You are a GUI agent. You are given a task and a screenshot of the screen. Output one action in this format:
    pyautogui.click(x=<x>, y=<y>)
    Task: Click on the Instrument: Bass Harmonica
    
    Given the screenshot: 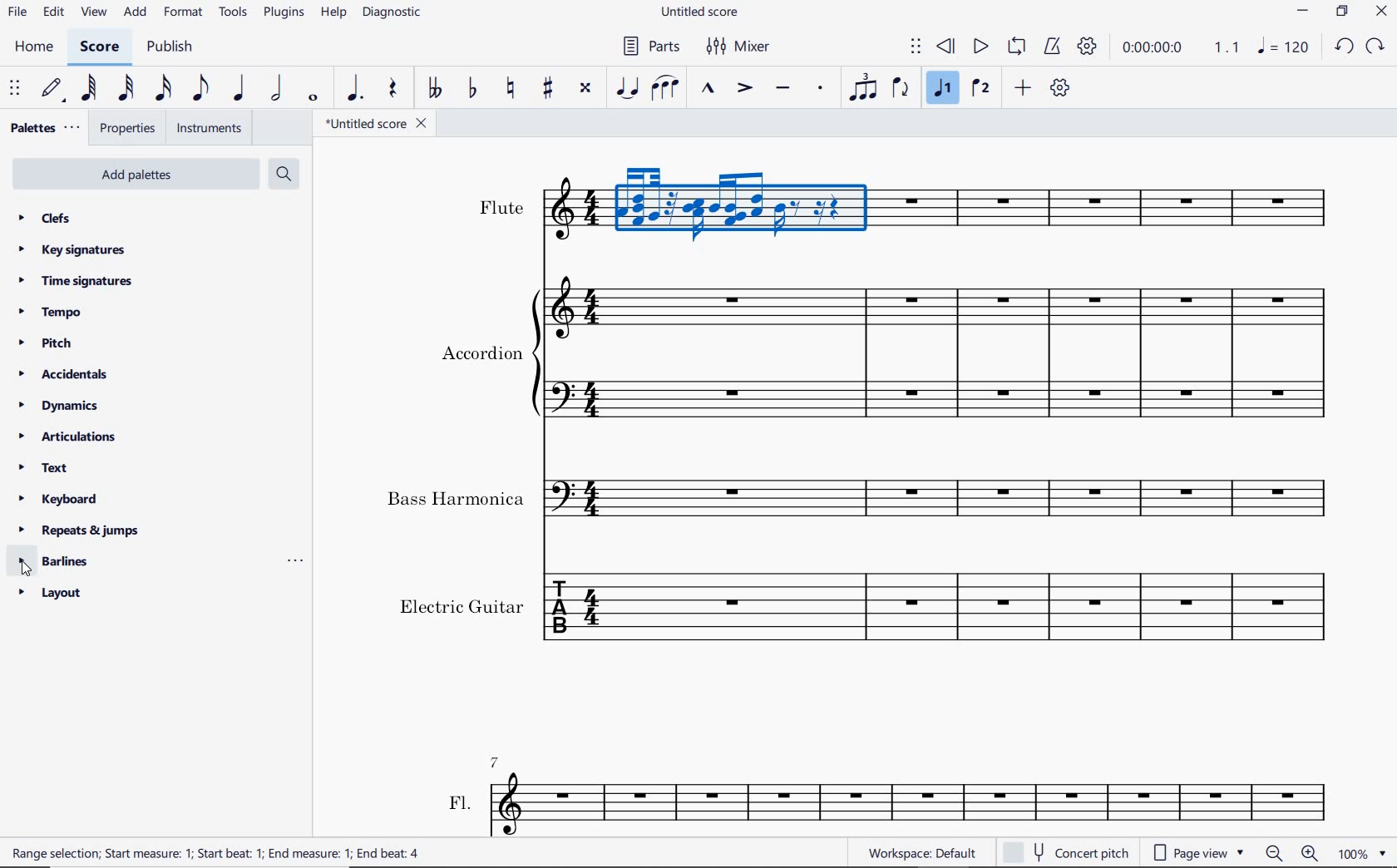 What is the action you would take?
    pyautogui.click(x=946, y=492)
    